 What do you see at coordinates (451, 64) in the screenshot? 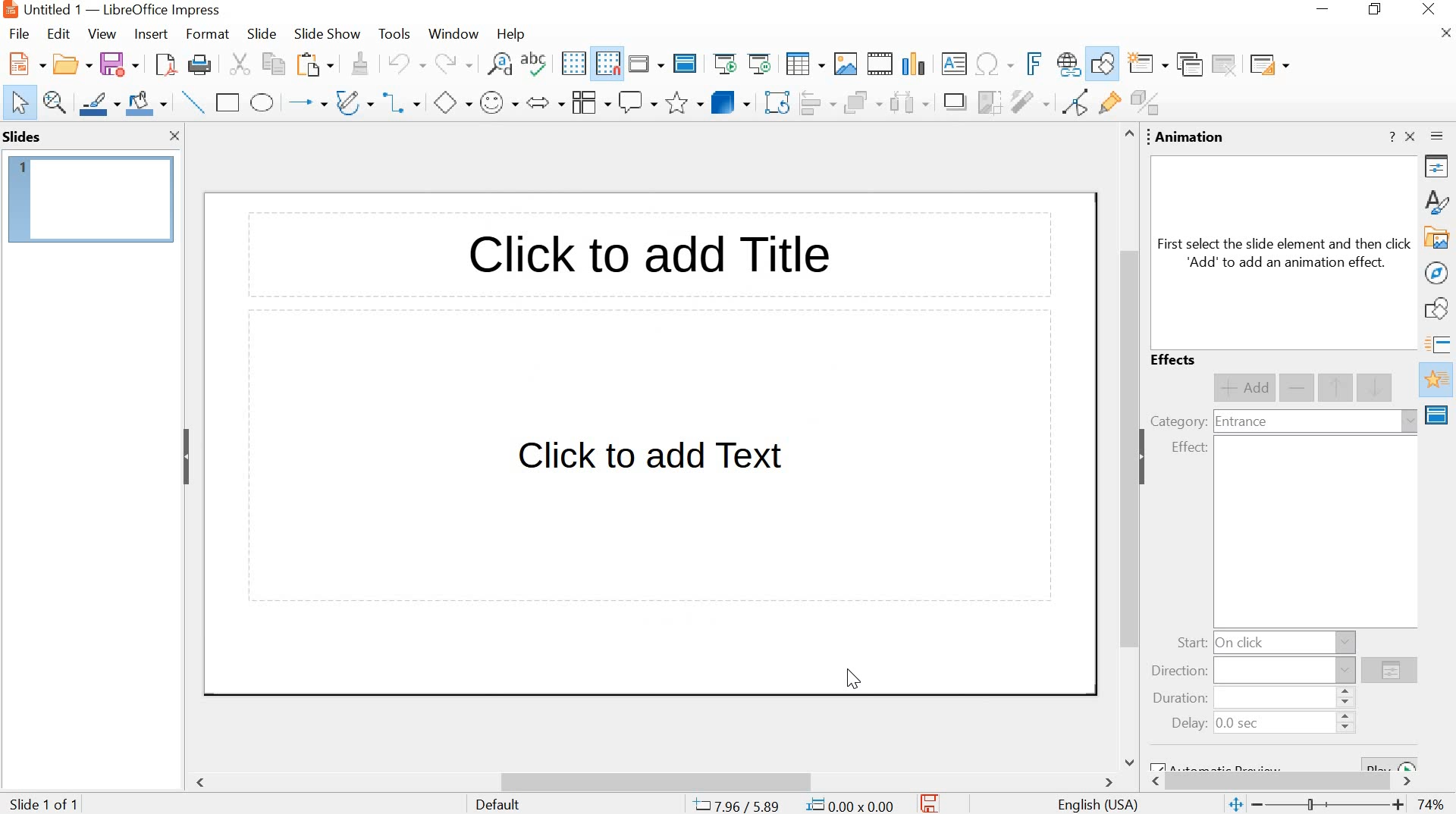
I see `redo` at bounding box center [451, 64].